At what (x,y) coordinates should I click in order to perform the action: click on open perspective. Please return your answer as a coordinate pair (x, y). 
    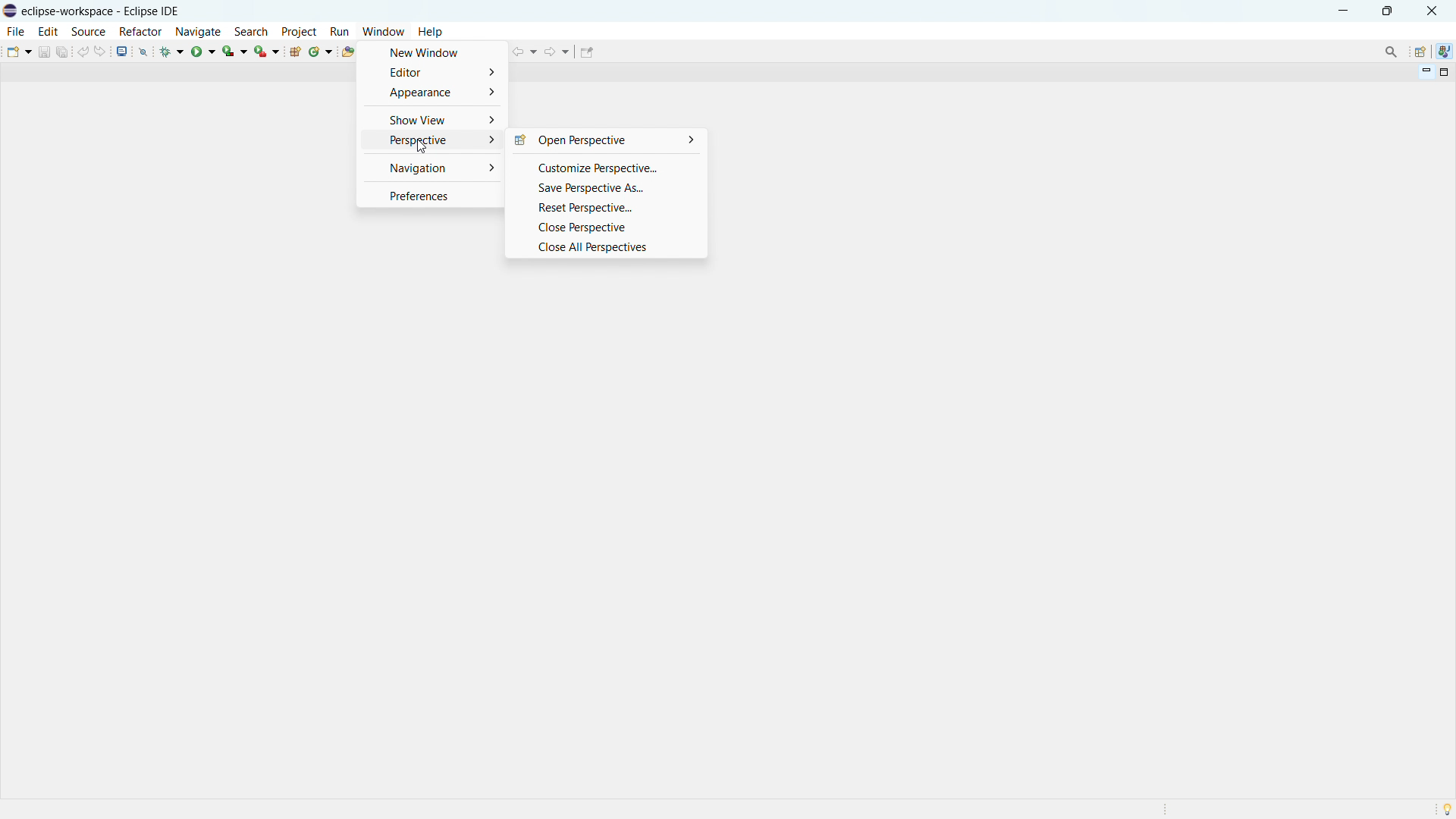
    Looking at the image, I should click on (604, 140).